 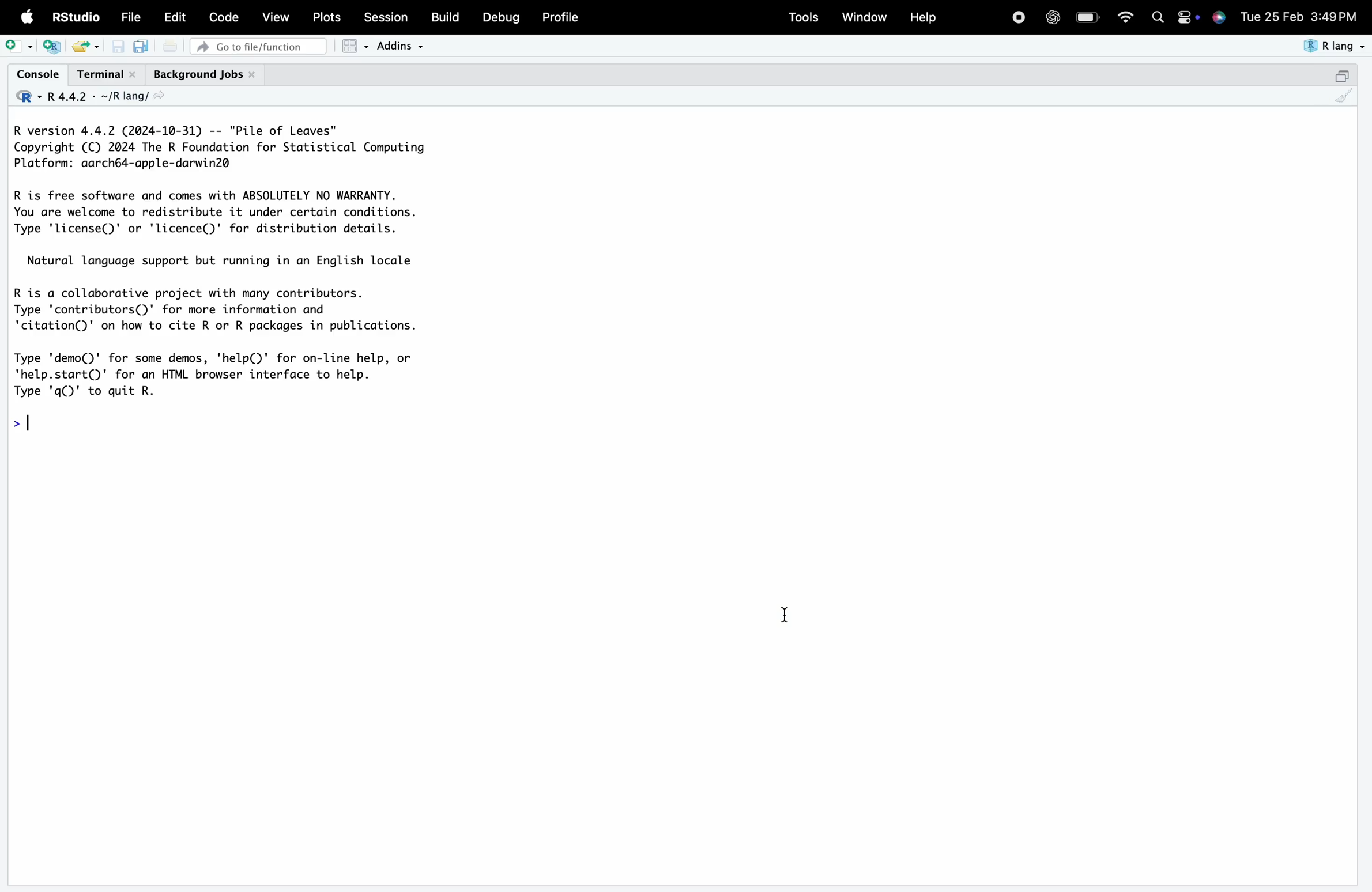 What do you see at coordinates (175, 17) in the screenshot?
I see `Edit` at bounding box center [175, 17].